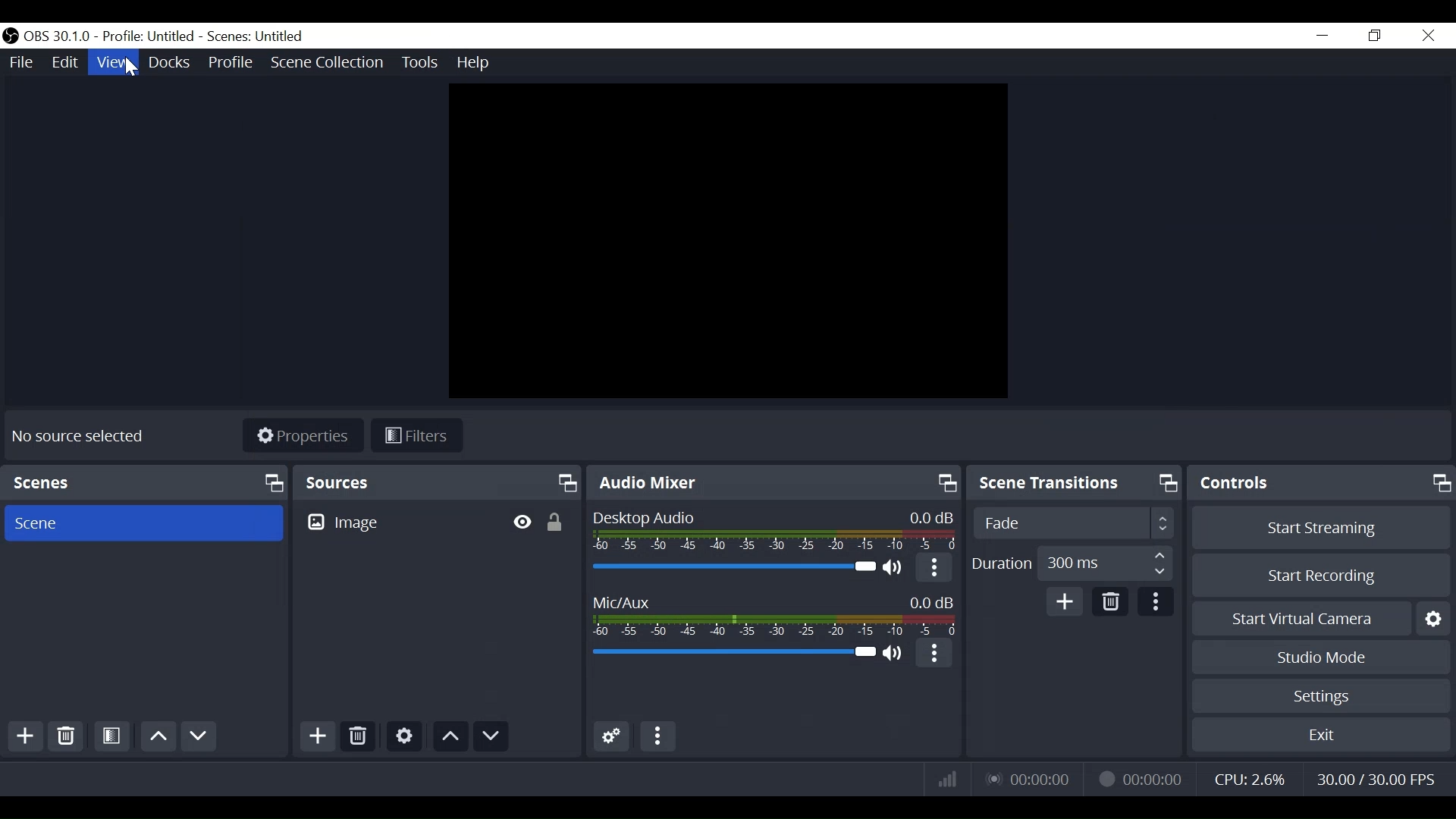  I want to click on Scenes, so click(146, 482).